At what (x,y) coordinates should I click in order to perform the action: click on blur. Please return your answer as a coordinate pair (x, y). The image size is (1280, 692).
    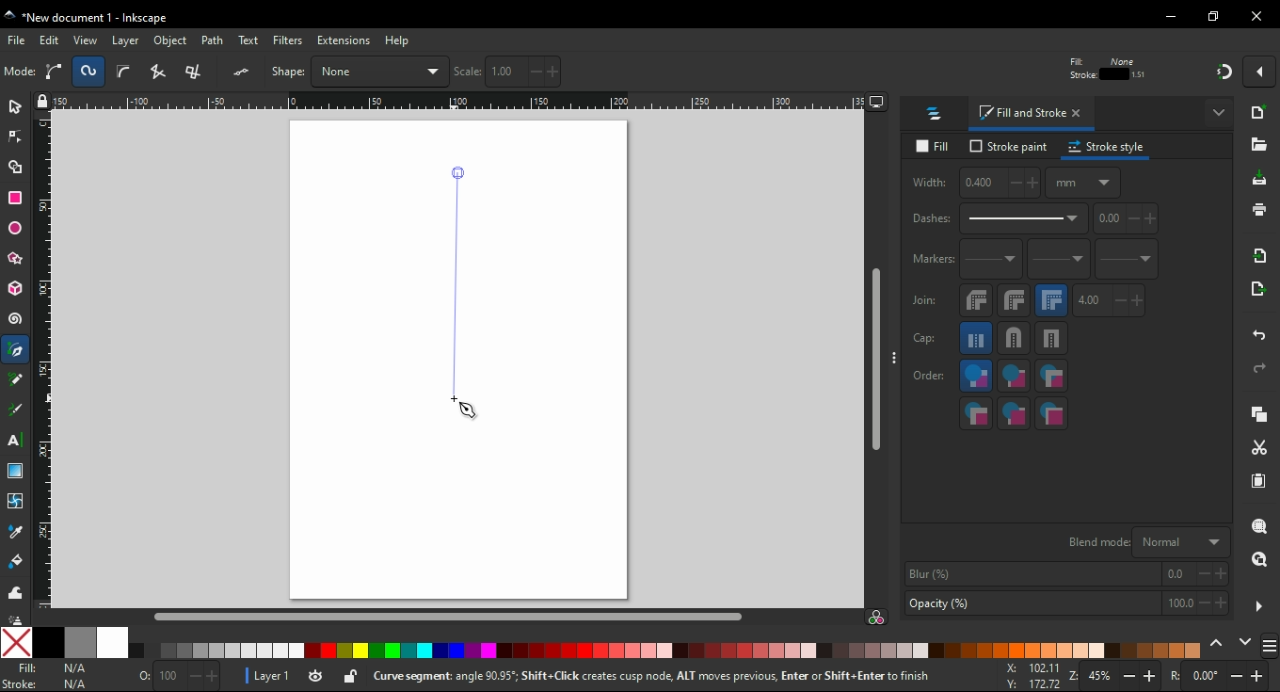
    Looking at the image, I should click on (1064, 574).